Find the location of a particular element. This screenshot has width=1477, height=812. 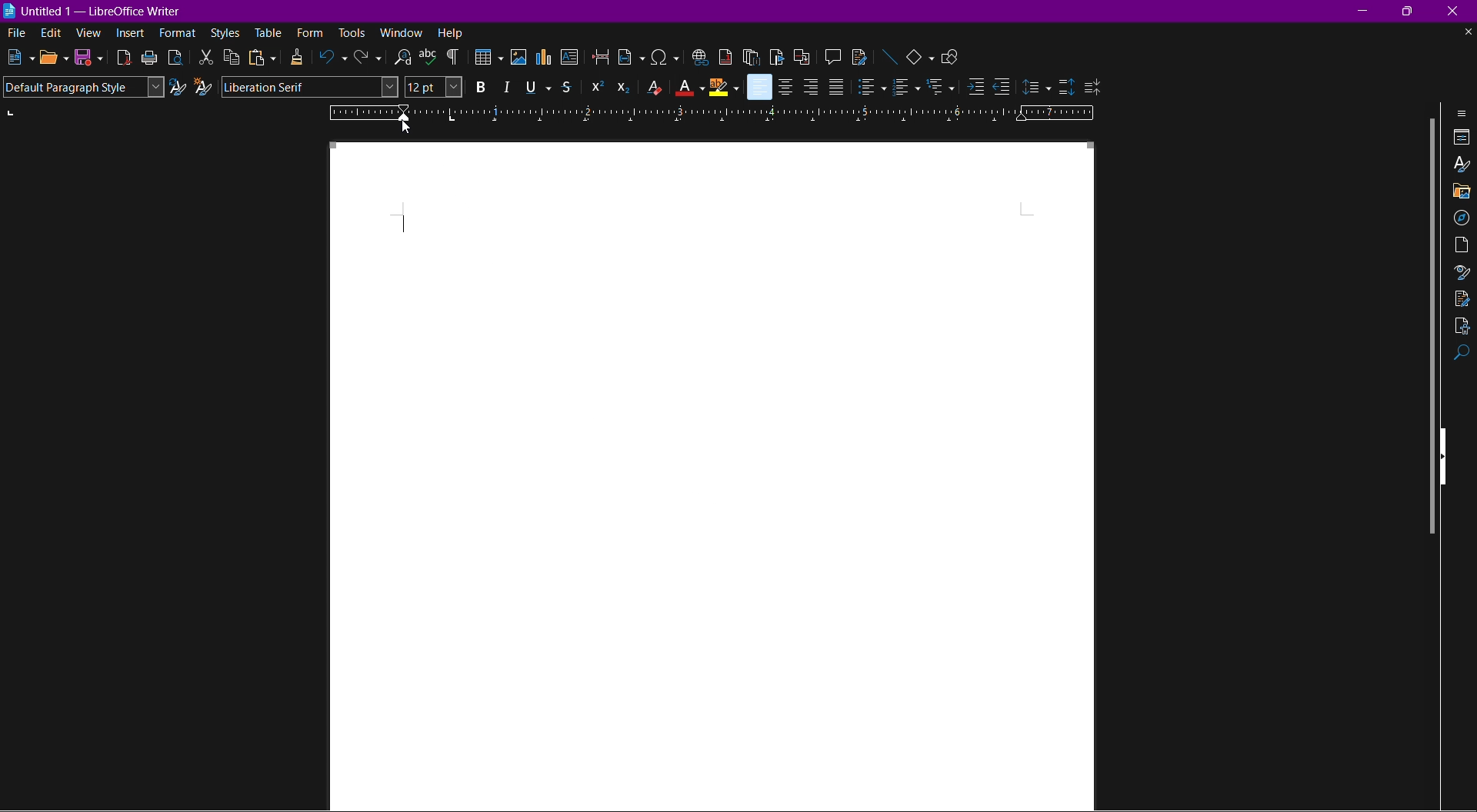

Navigator is located at coordinates (1462, 216).